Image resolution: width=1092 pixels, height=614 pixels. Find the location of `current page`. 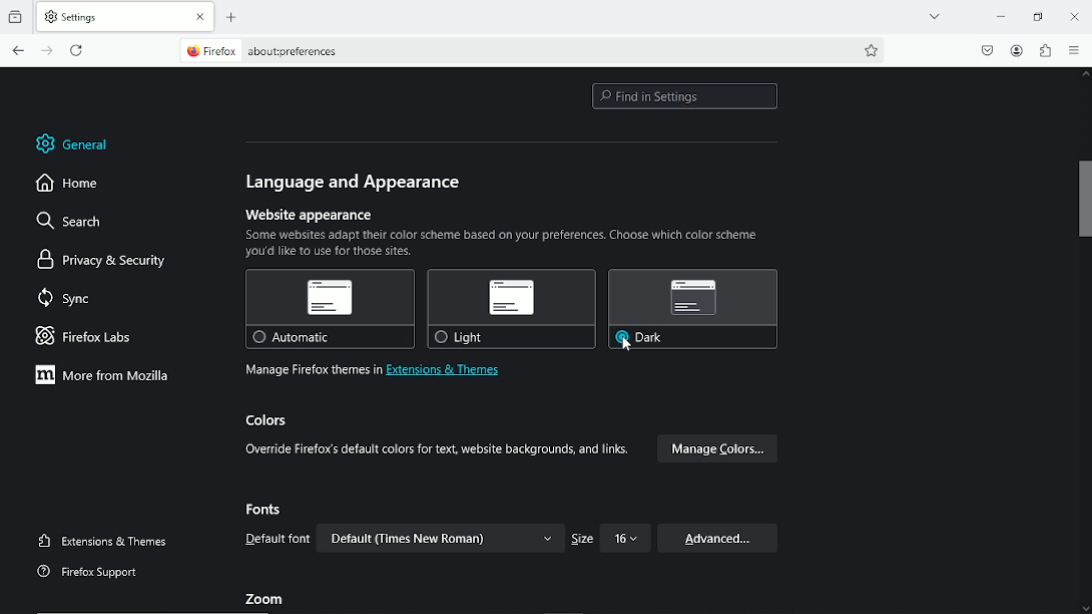

current page is located at coordinates (274, 50).